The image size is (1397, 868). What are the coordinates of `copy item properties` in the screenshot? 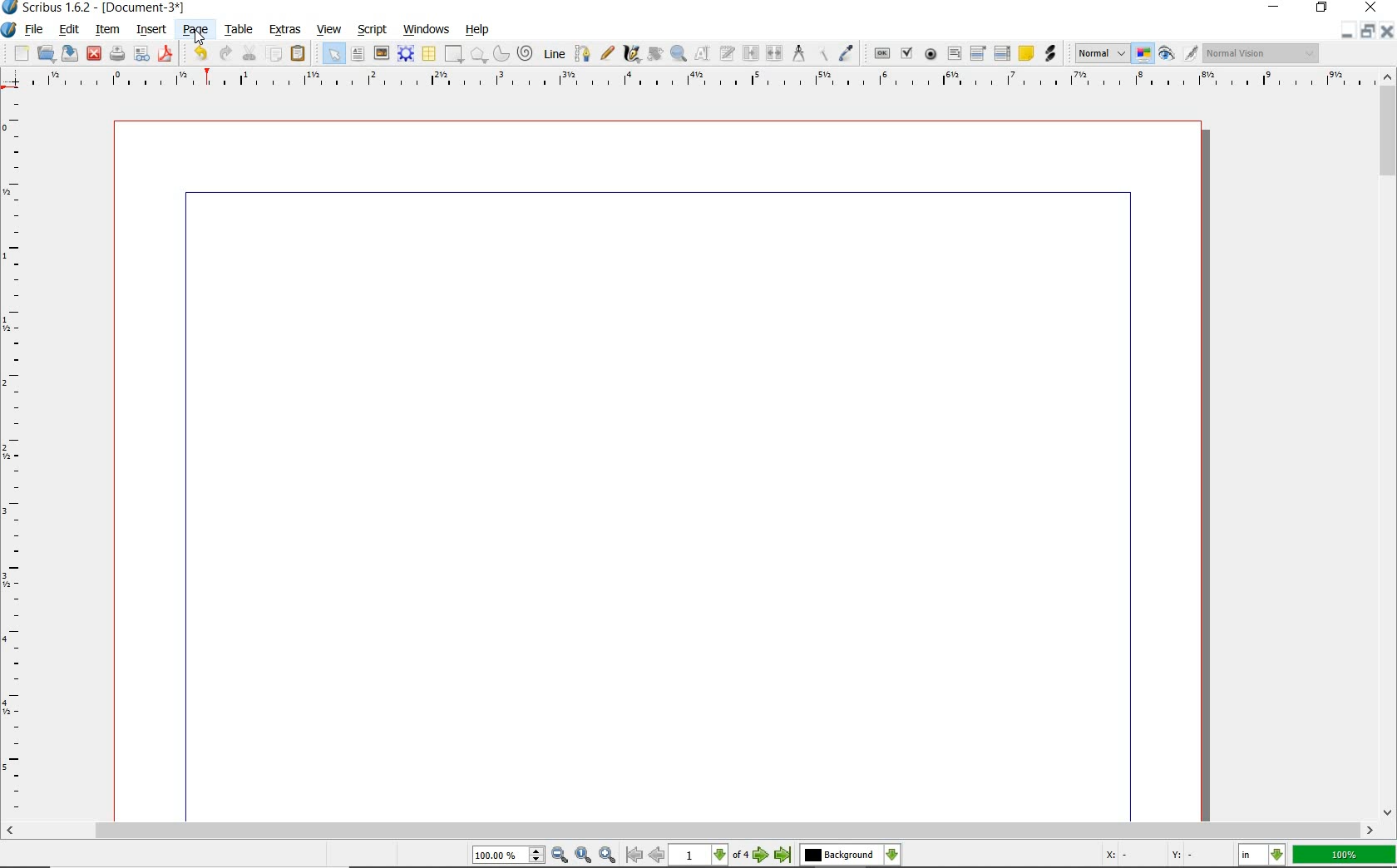 It's located at (822, 54).